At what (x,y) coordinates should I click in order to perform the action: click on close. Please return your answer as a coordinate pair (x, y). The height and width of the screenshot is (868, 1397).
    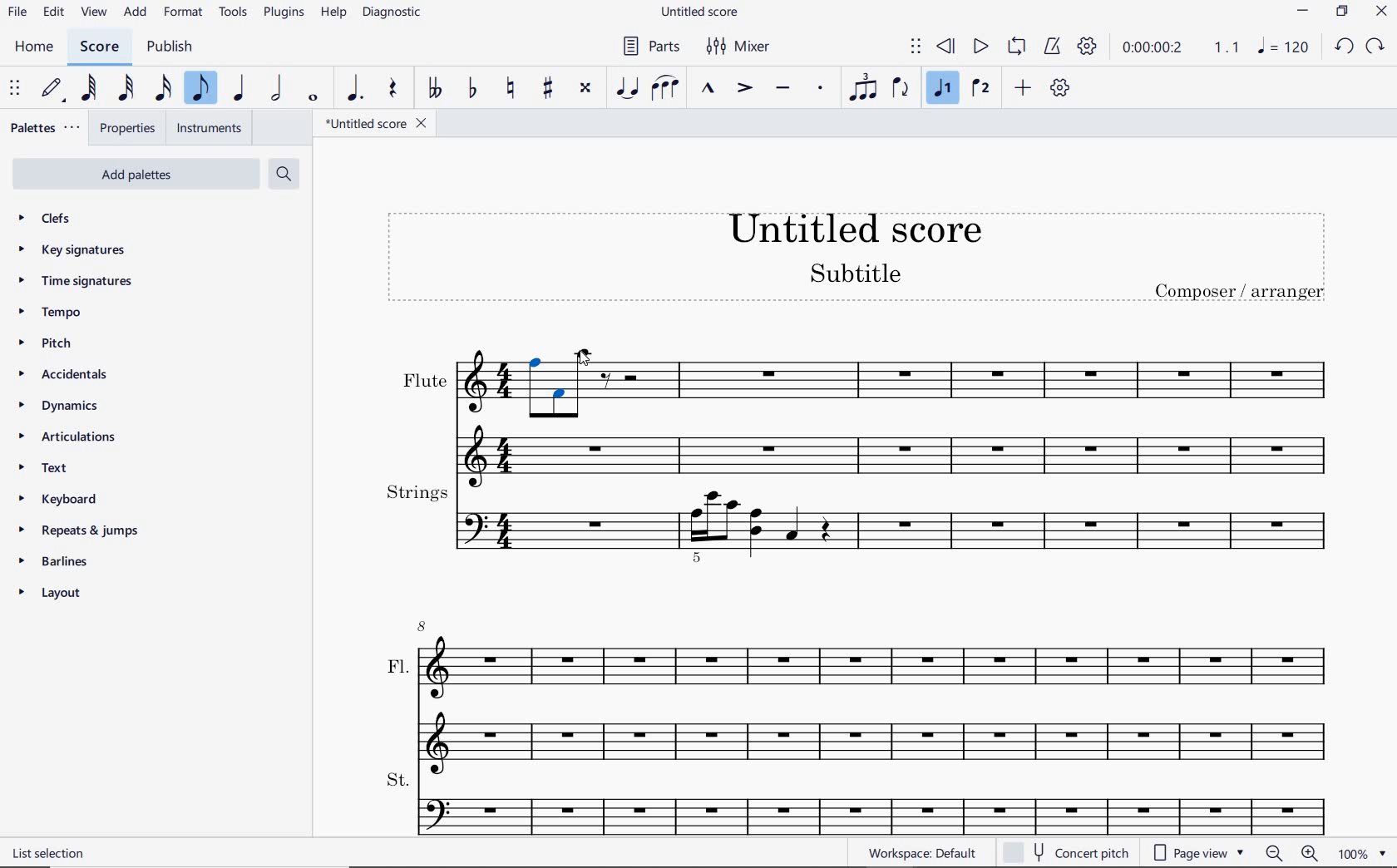
    Looking at the image, I should click on (1384, 13).